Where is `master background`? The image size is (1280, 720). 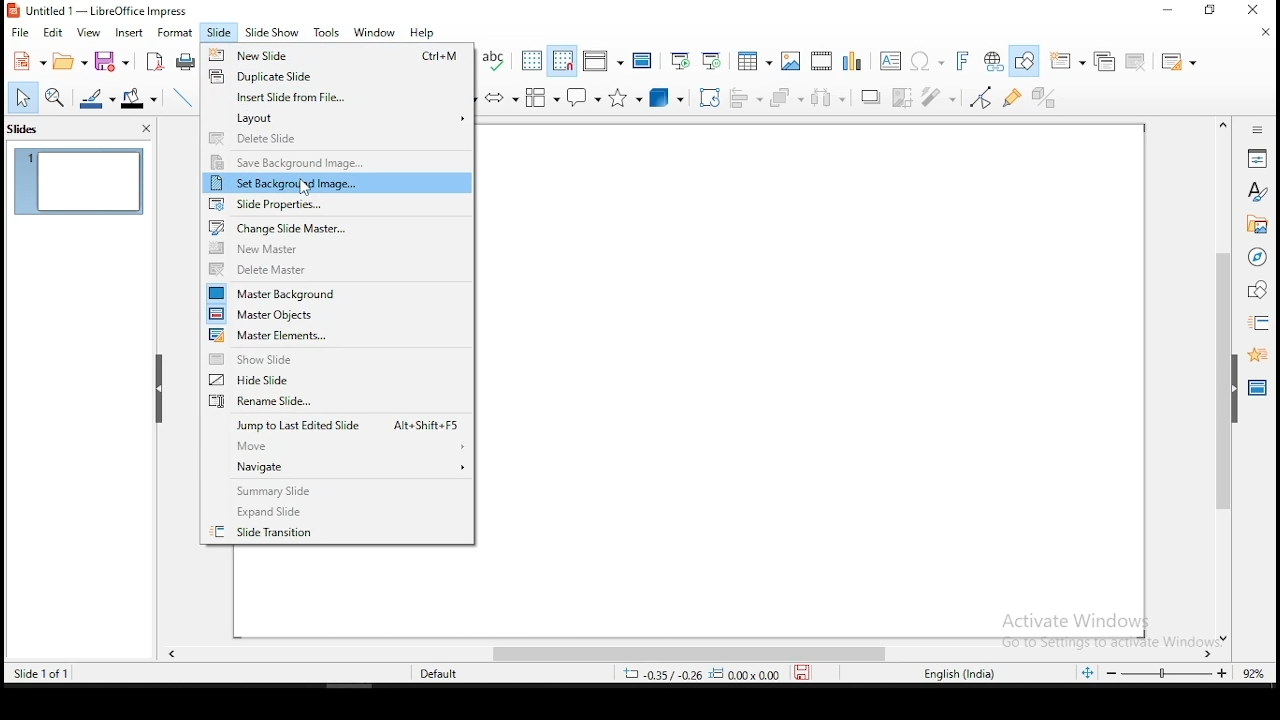
master background is located at coordinates (336, 293).